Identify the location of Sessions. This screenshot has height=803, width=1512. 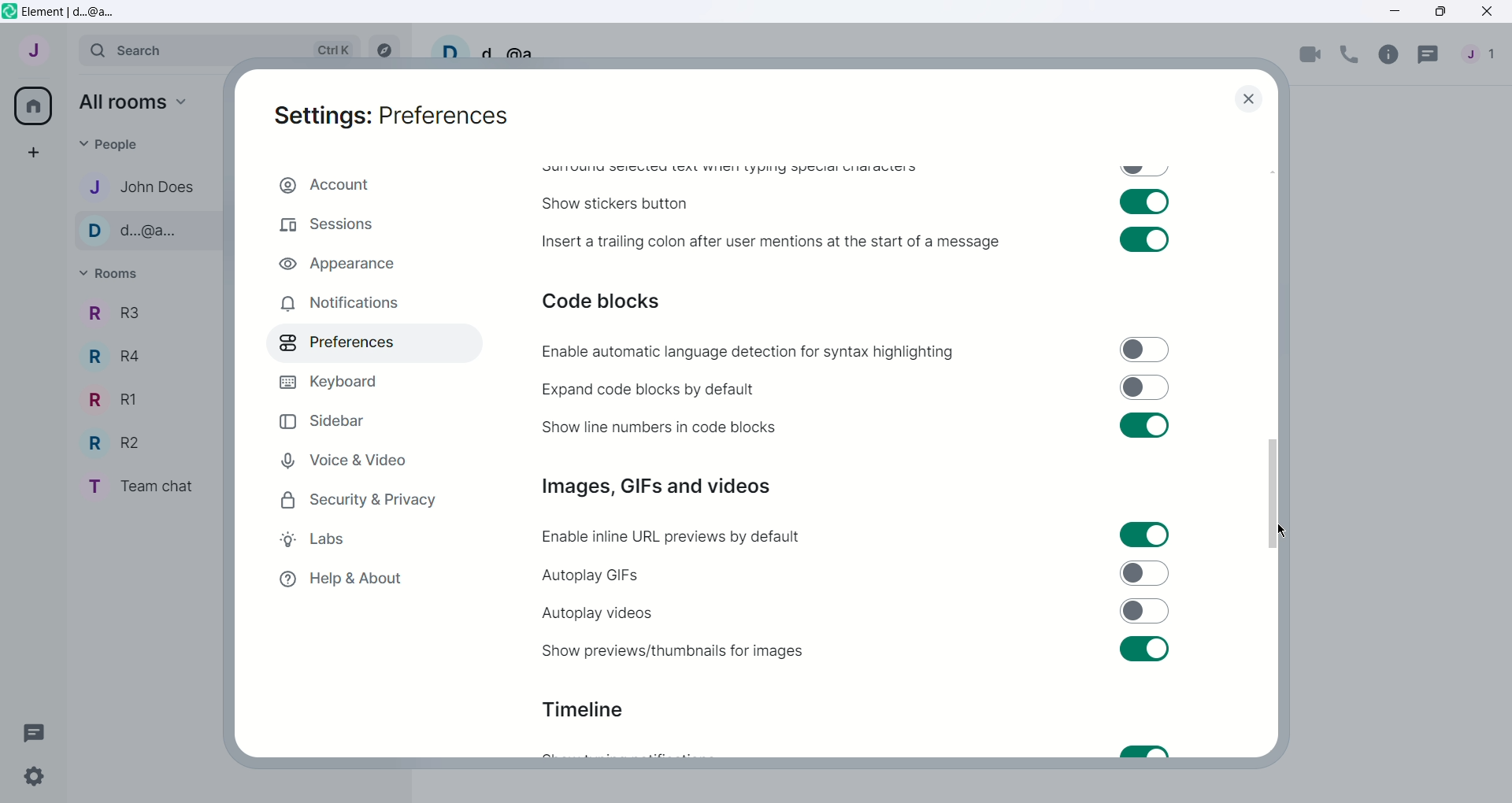
(369, 226).